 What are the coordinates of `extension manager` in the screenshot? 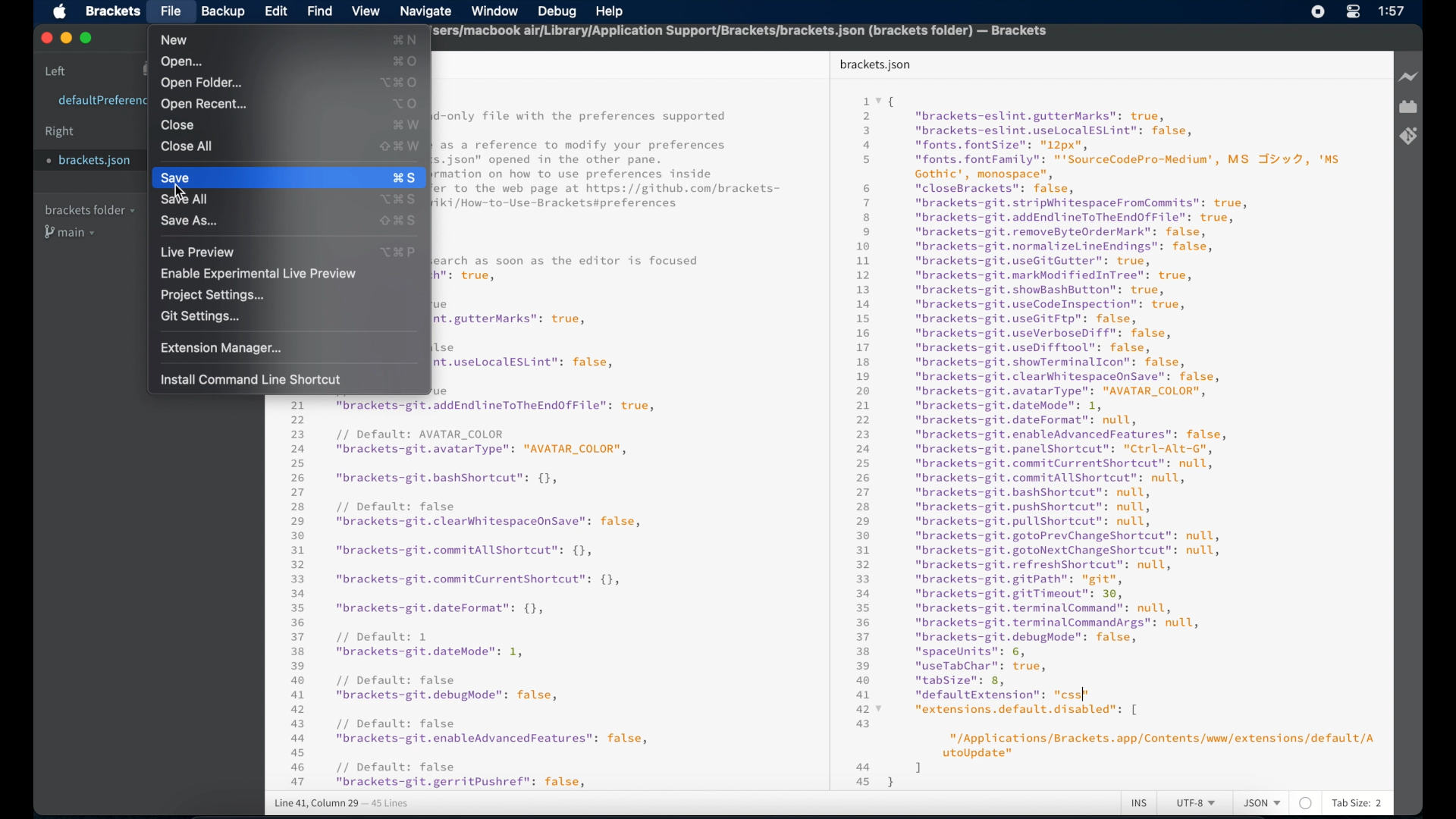 It's located at (1408, 108).